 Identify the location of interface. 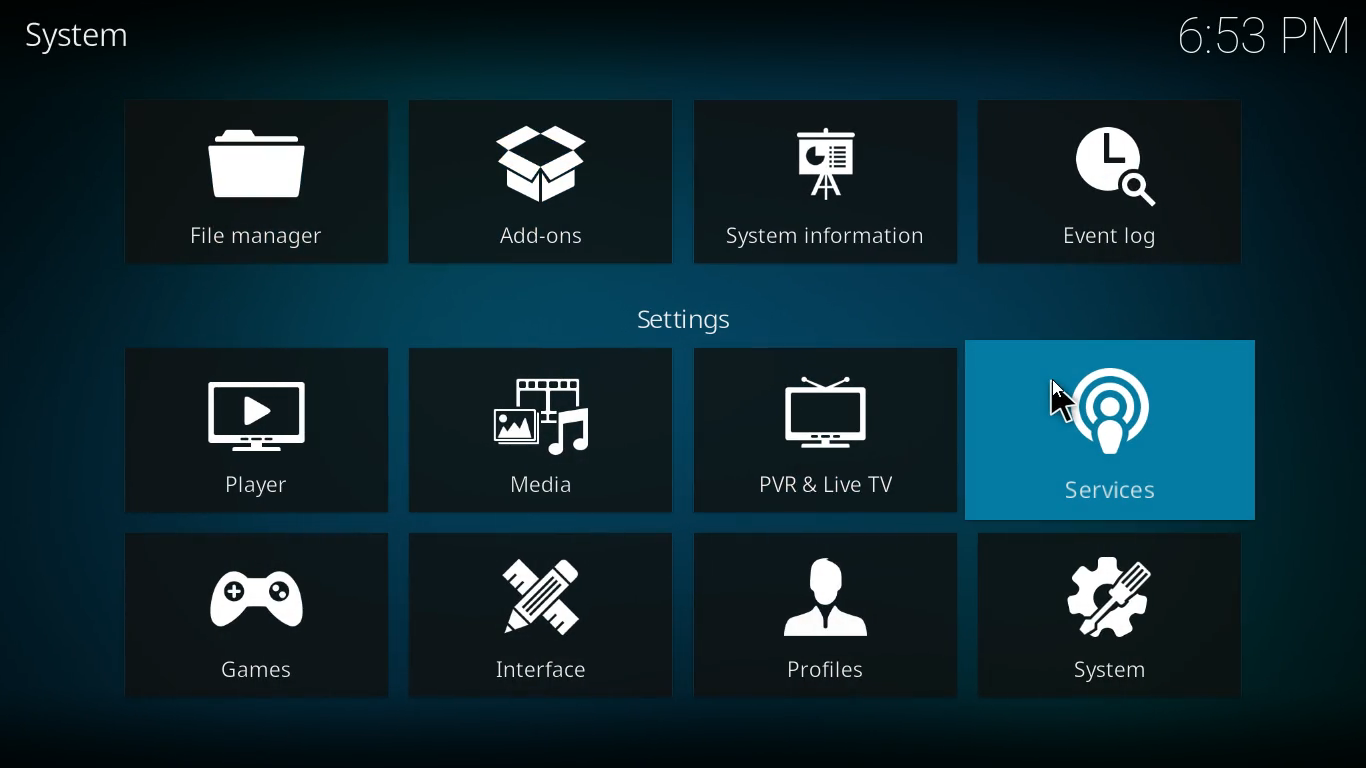
(540, 618).